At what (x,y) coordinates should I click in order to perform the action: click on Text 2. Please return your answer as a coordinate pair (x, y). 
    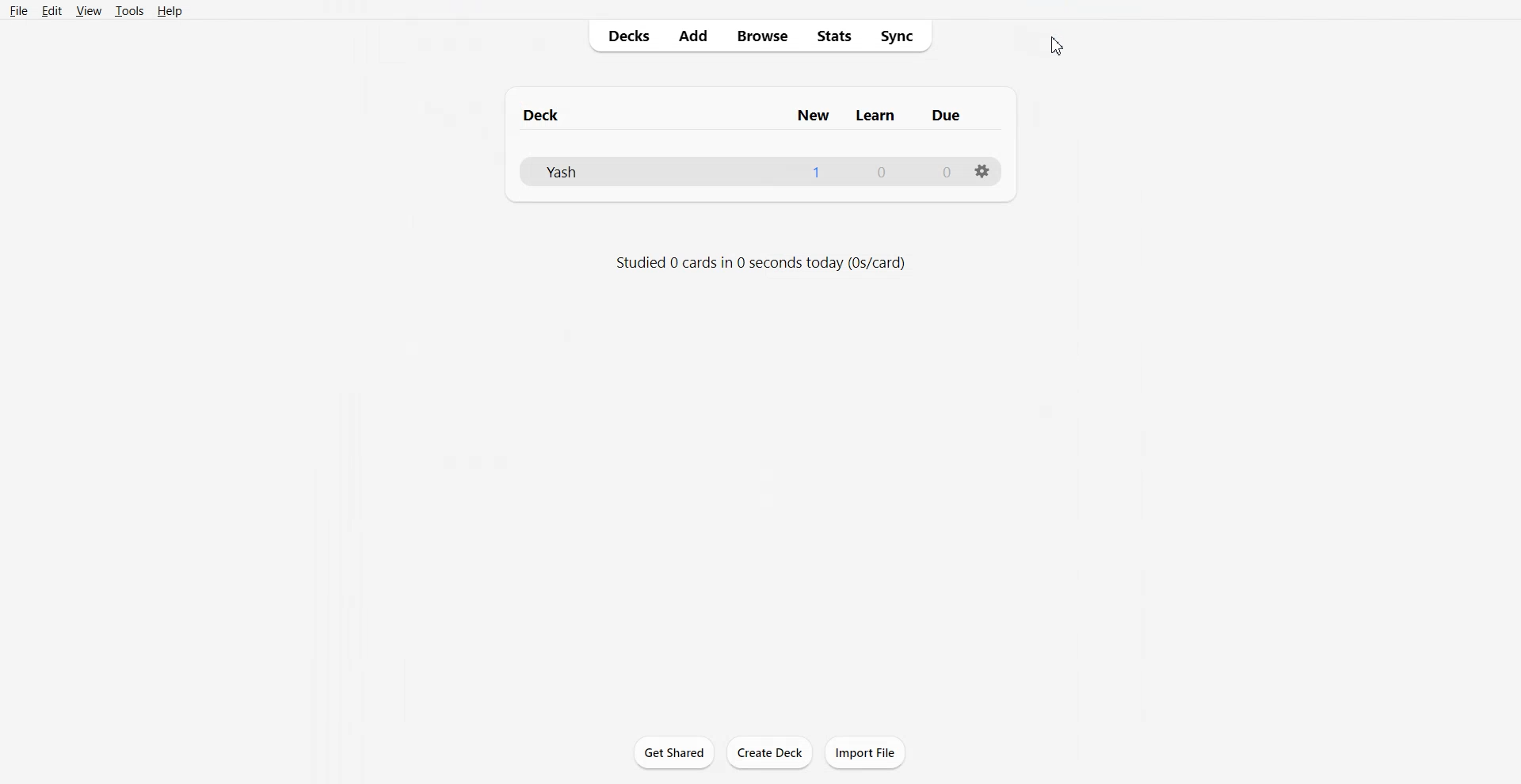
    Looking at the image, I should click on (758, 263).